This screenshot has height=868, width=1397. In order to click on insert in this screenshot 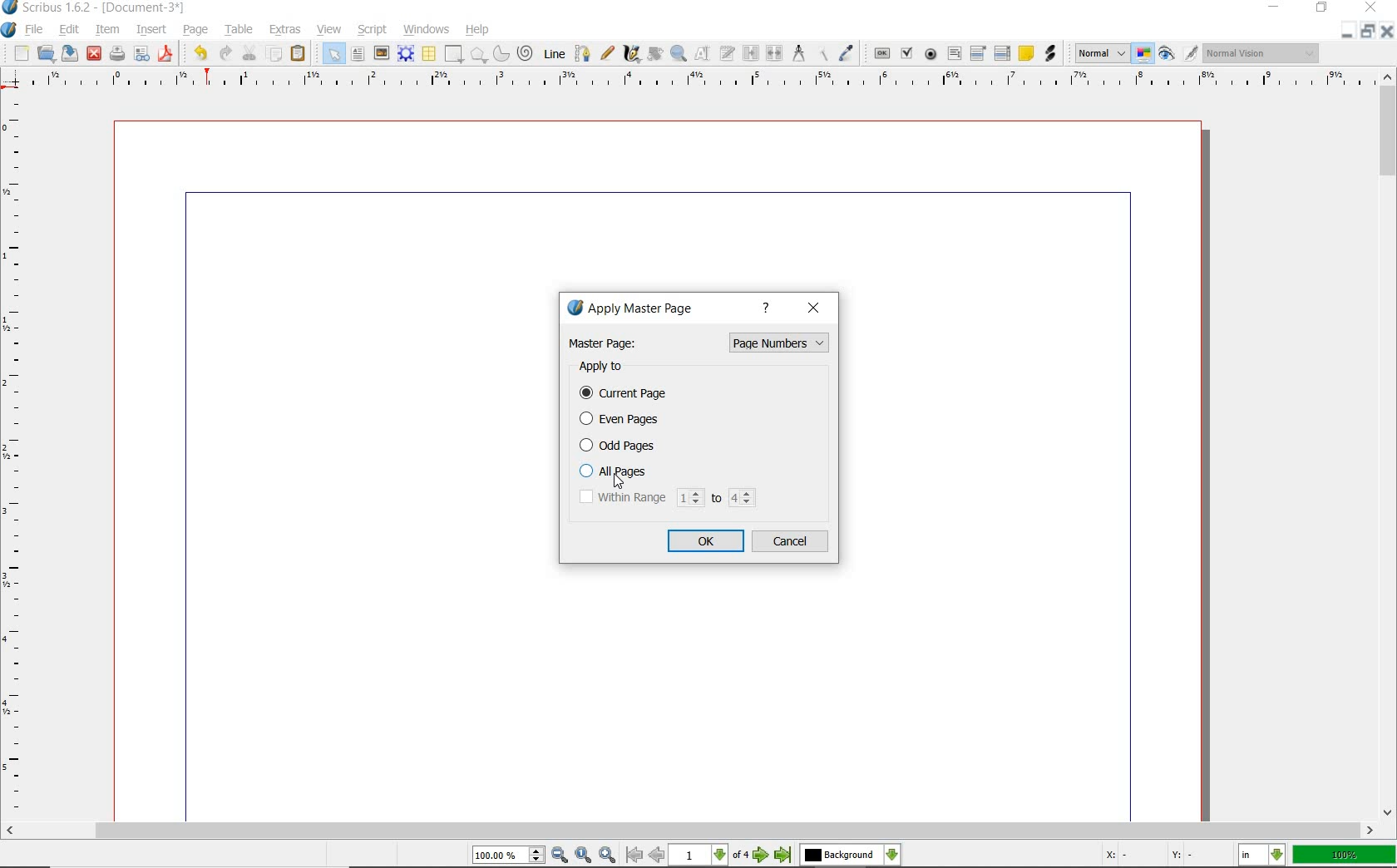, I will do `click(151, 30)`.